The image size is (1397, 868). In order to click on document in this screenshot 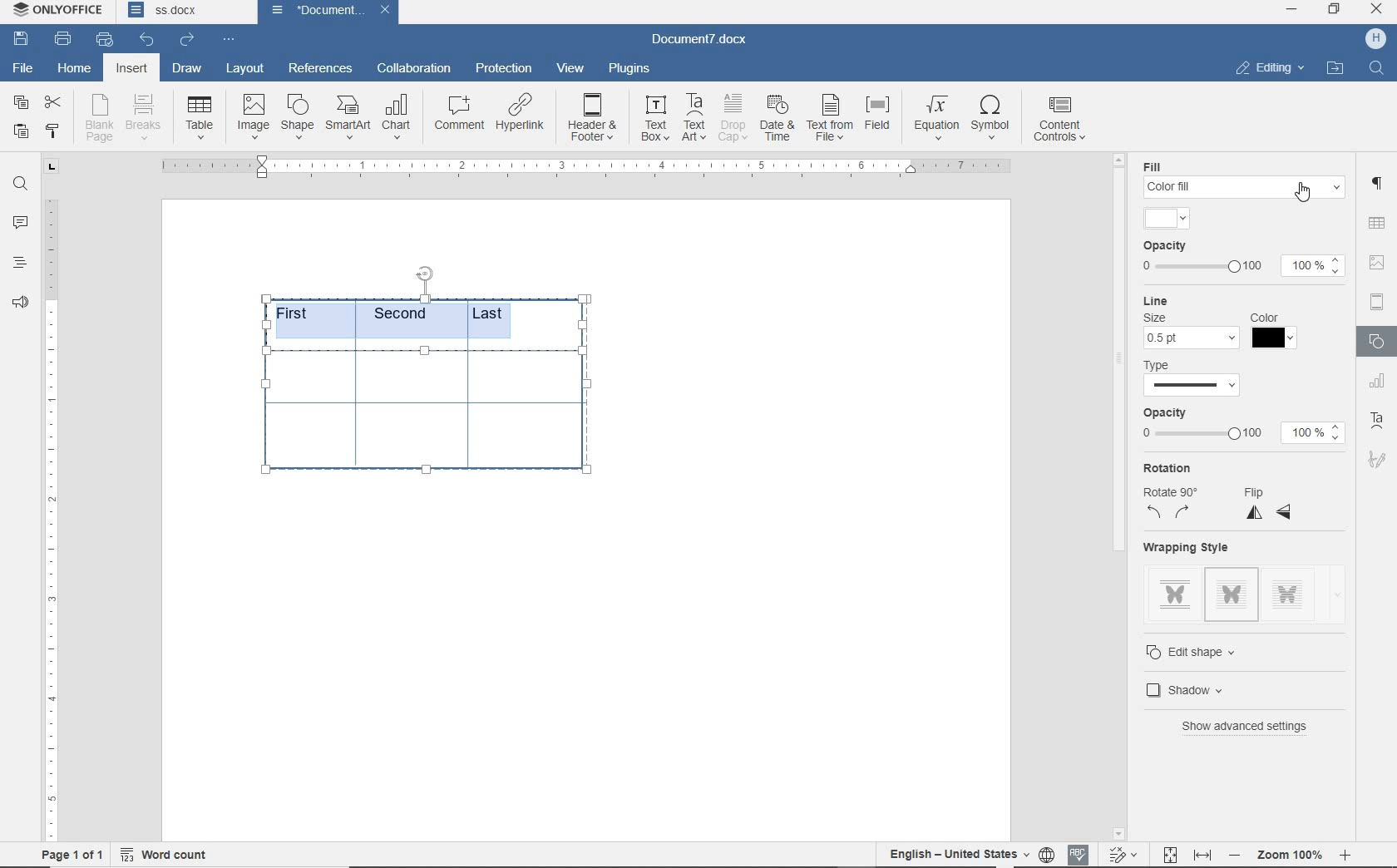, I will do `click(313, 10)`.